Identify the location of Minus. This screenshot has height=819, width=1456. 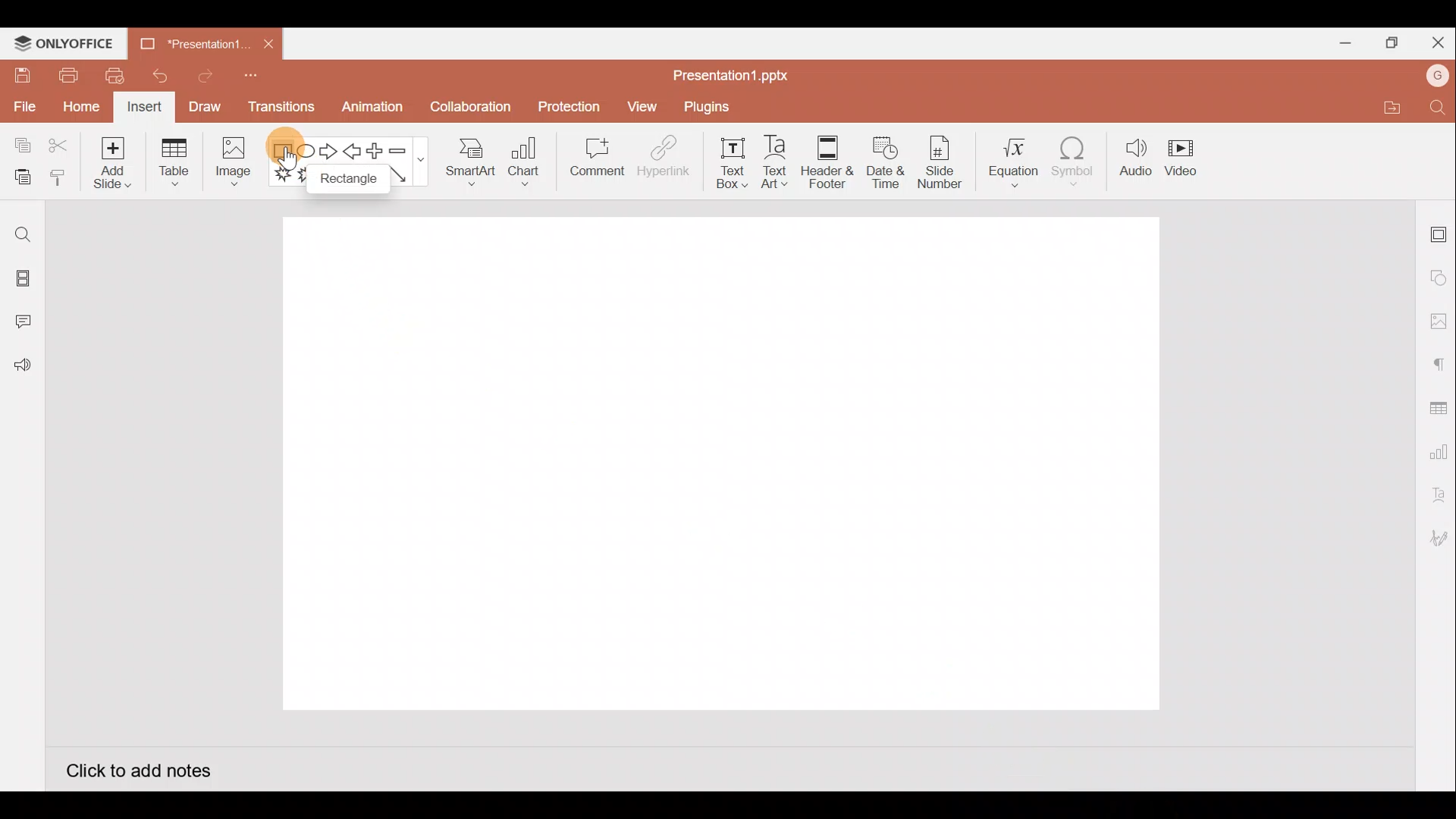
(406, 149).